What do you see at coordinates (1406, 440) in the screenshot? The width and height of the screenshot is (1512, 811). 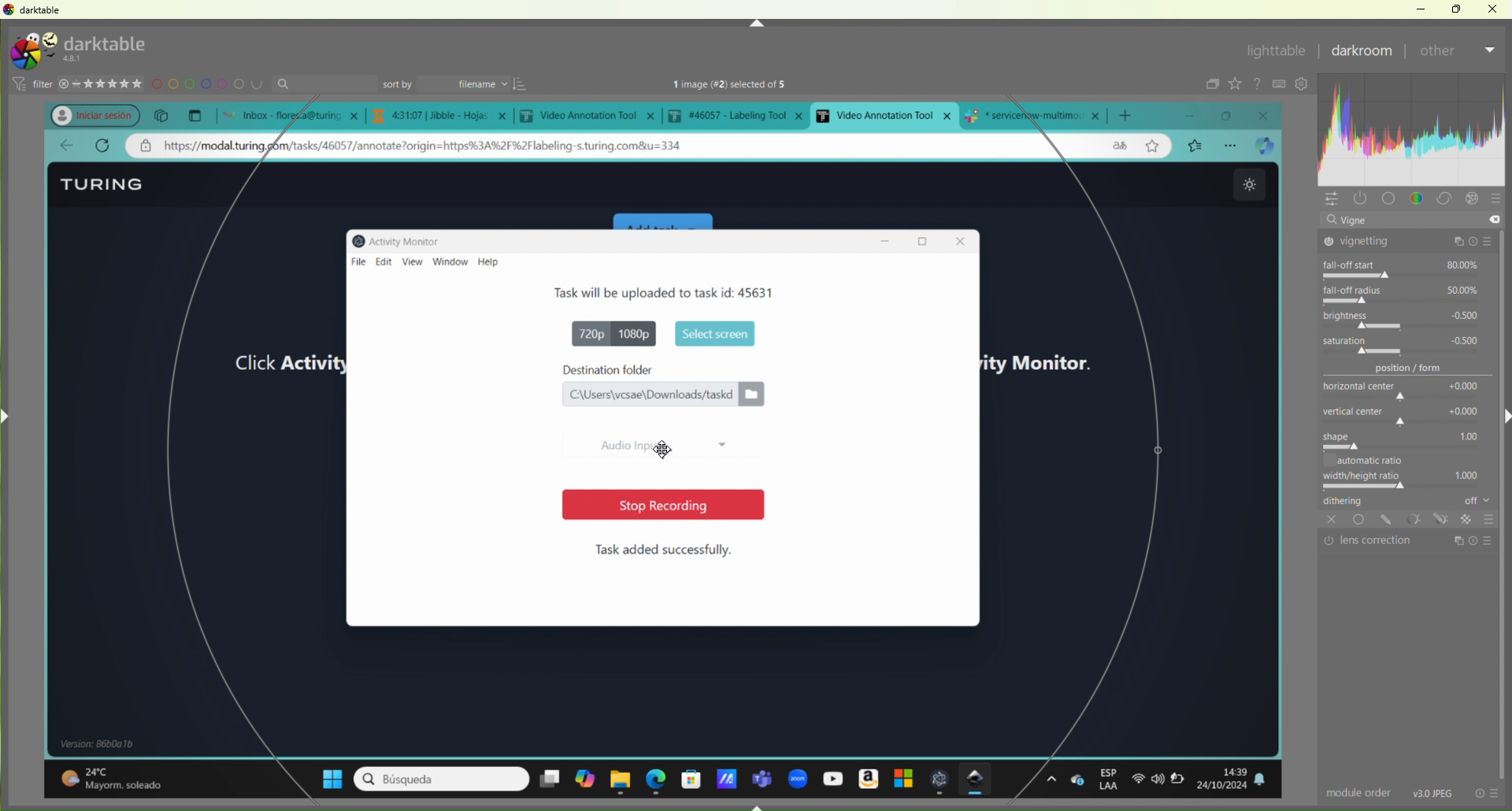 I see `shape` at bounding box center [1406, 440].